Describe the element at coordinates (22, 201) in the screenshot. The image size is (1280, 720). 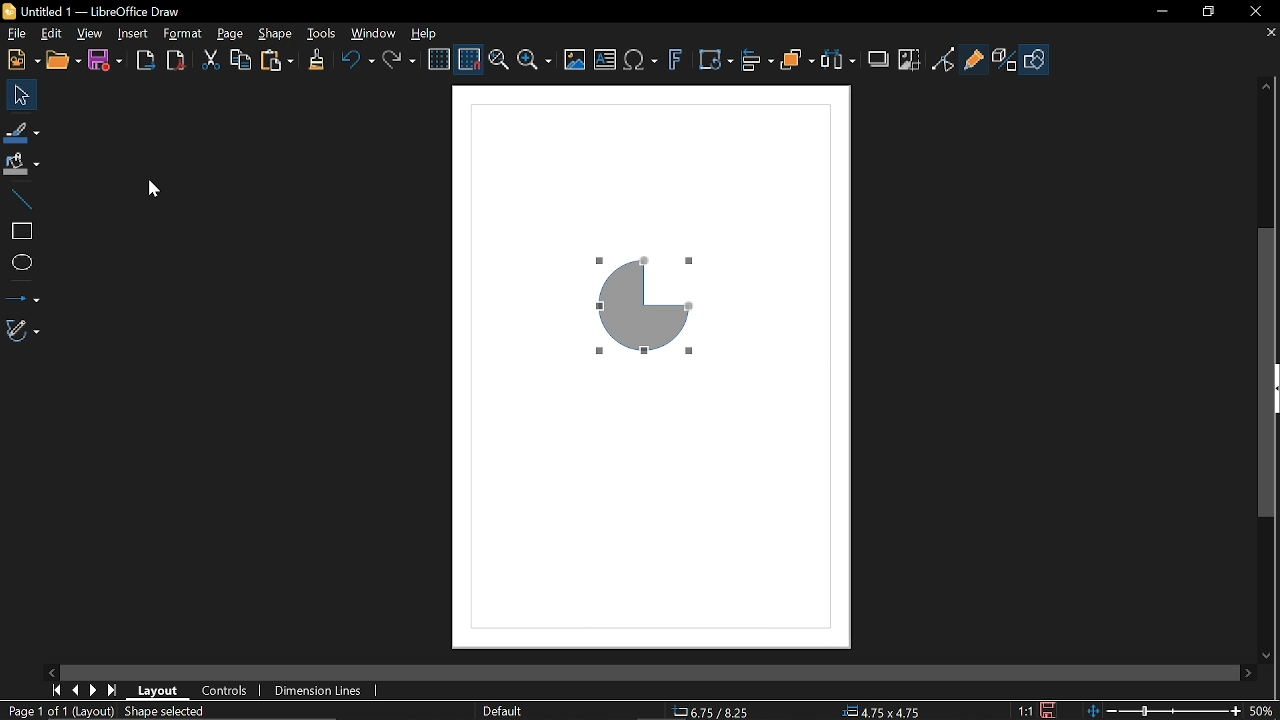
I see `Line` at that location.